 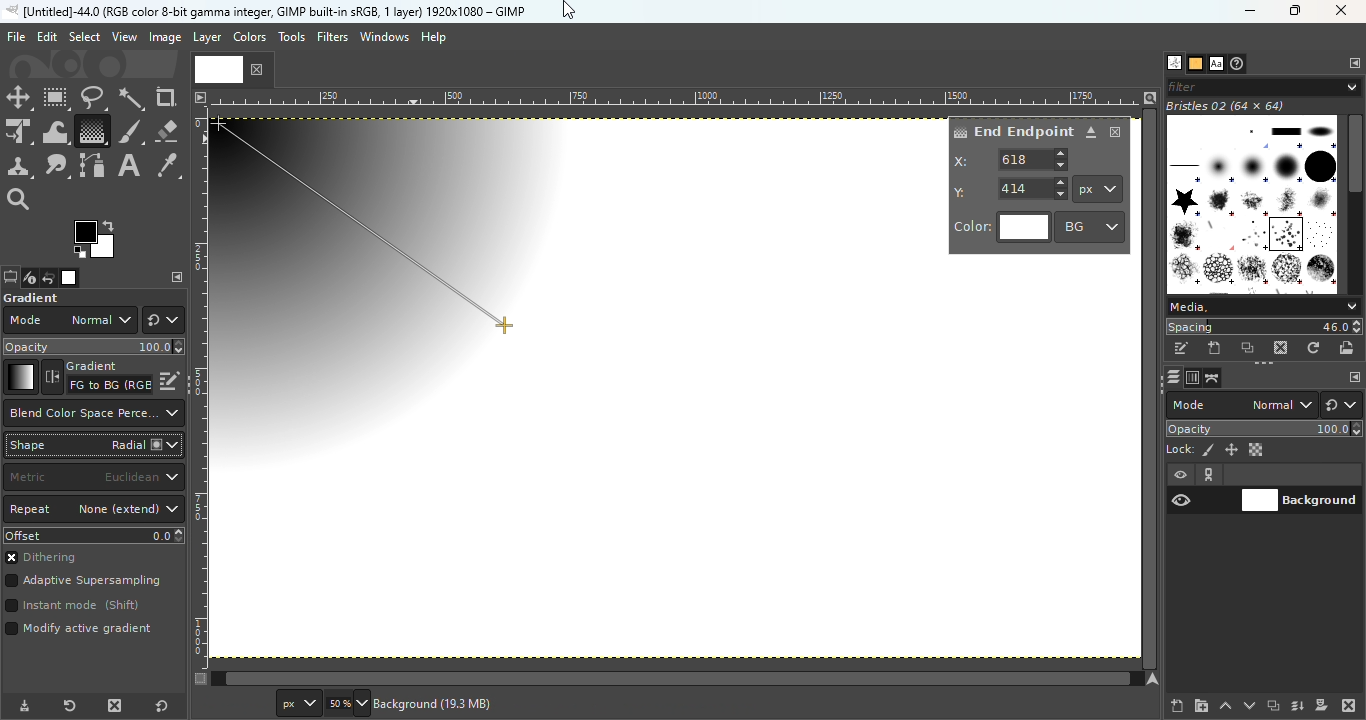 I want to click on Color, so click(x=1002, y=228).